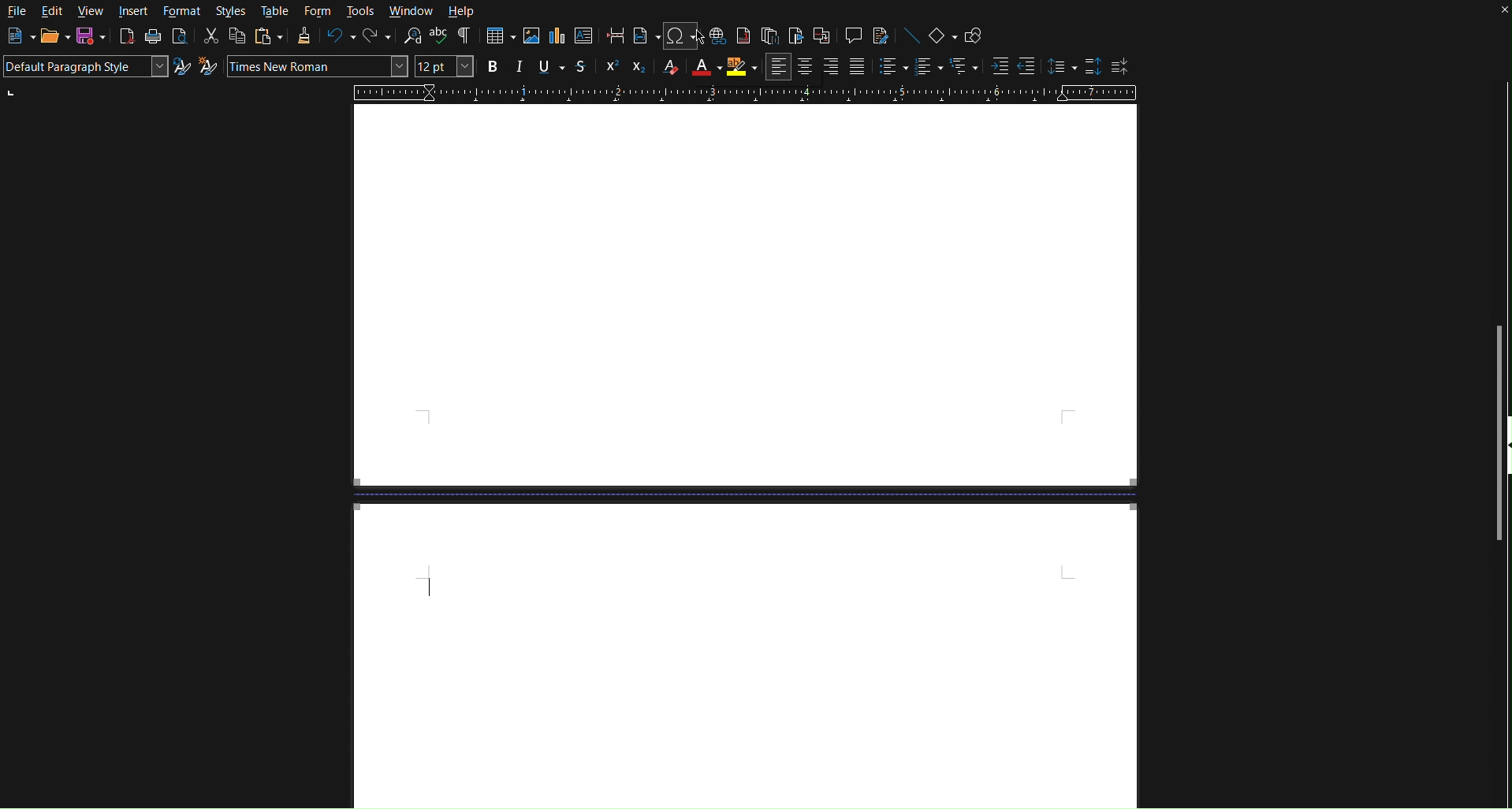  What do you see at coordinates (90, 38) in the screenshot?
I see `Save` at bounding box center [90, 38].